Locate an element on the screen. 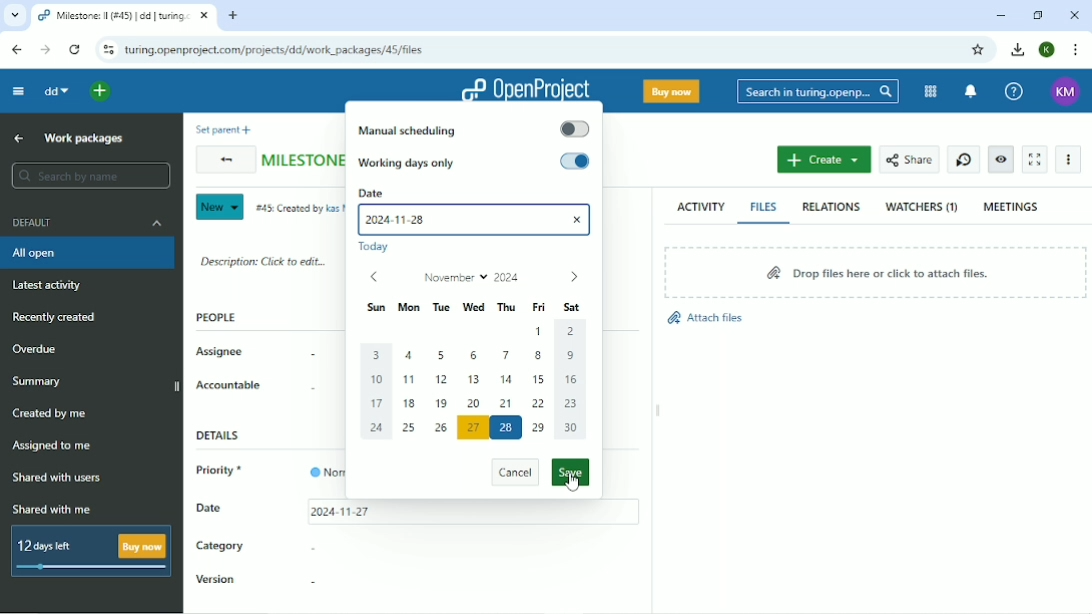 This screenshot has height=614, width=1092. Search tabs is located at coordinates (15, 16).